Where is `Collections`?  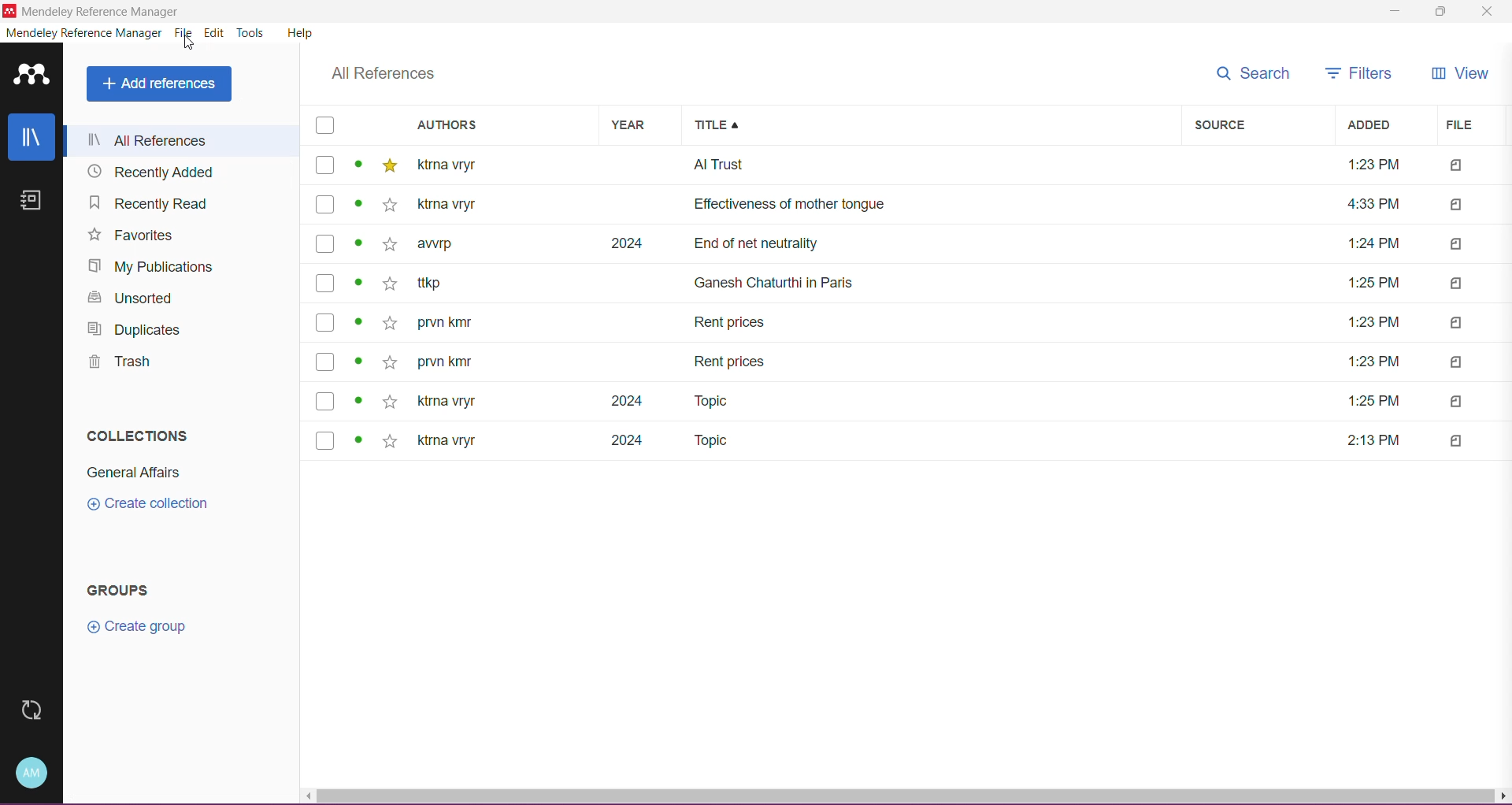
Collections is located at coordinates (139, 436).